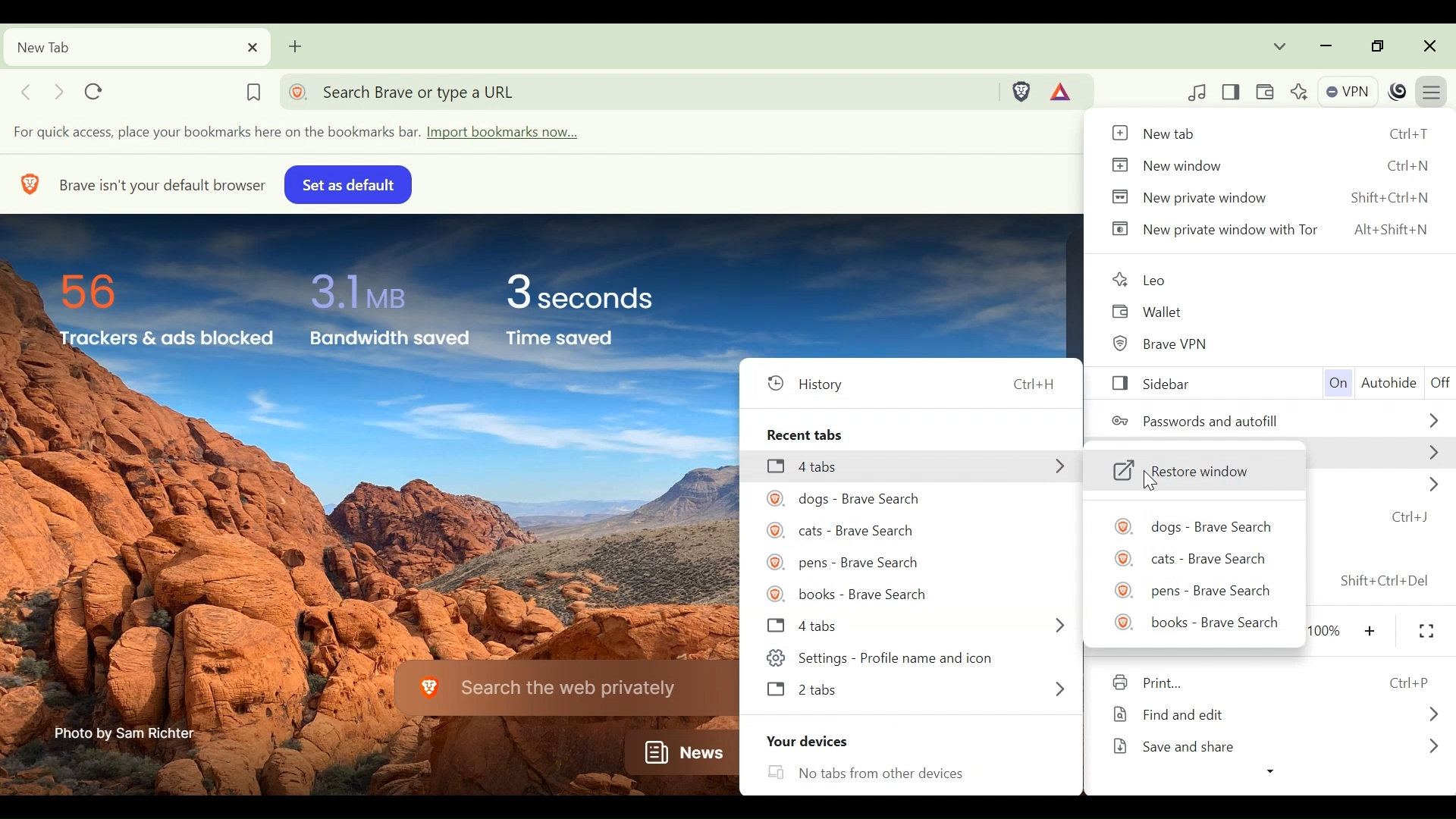 The image size is (1456, 819). What do you see at coordinates (58, 90) in the screenshot?
I see `Click to go forward` at bounding box center [58, 90].